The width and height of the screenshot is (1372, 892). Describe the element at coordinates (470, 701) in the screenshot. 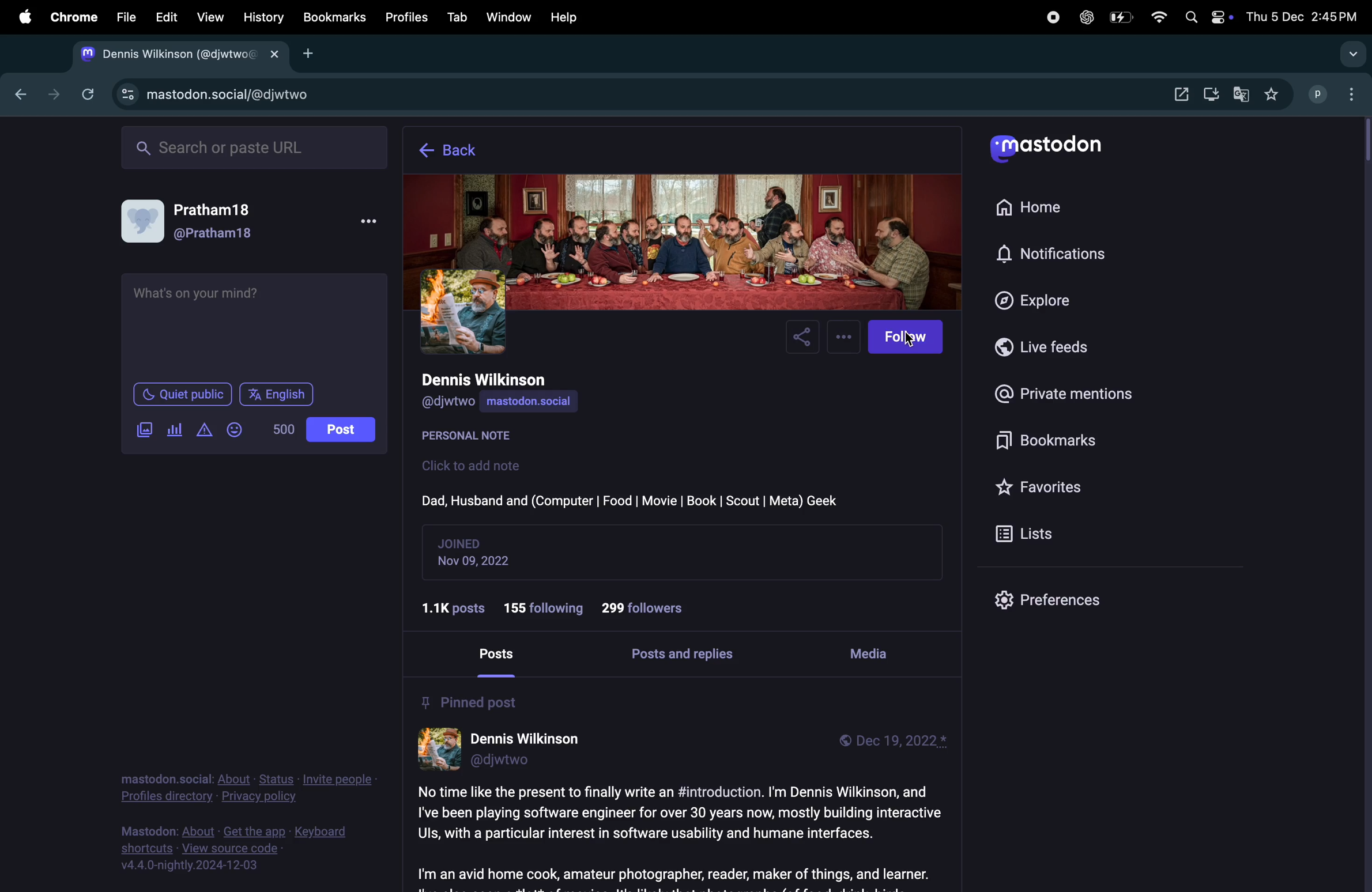

I see `pinne post` at that location.